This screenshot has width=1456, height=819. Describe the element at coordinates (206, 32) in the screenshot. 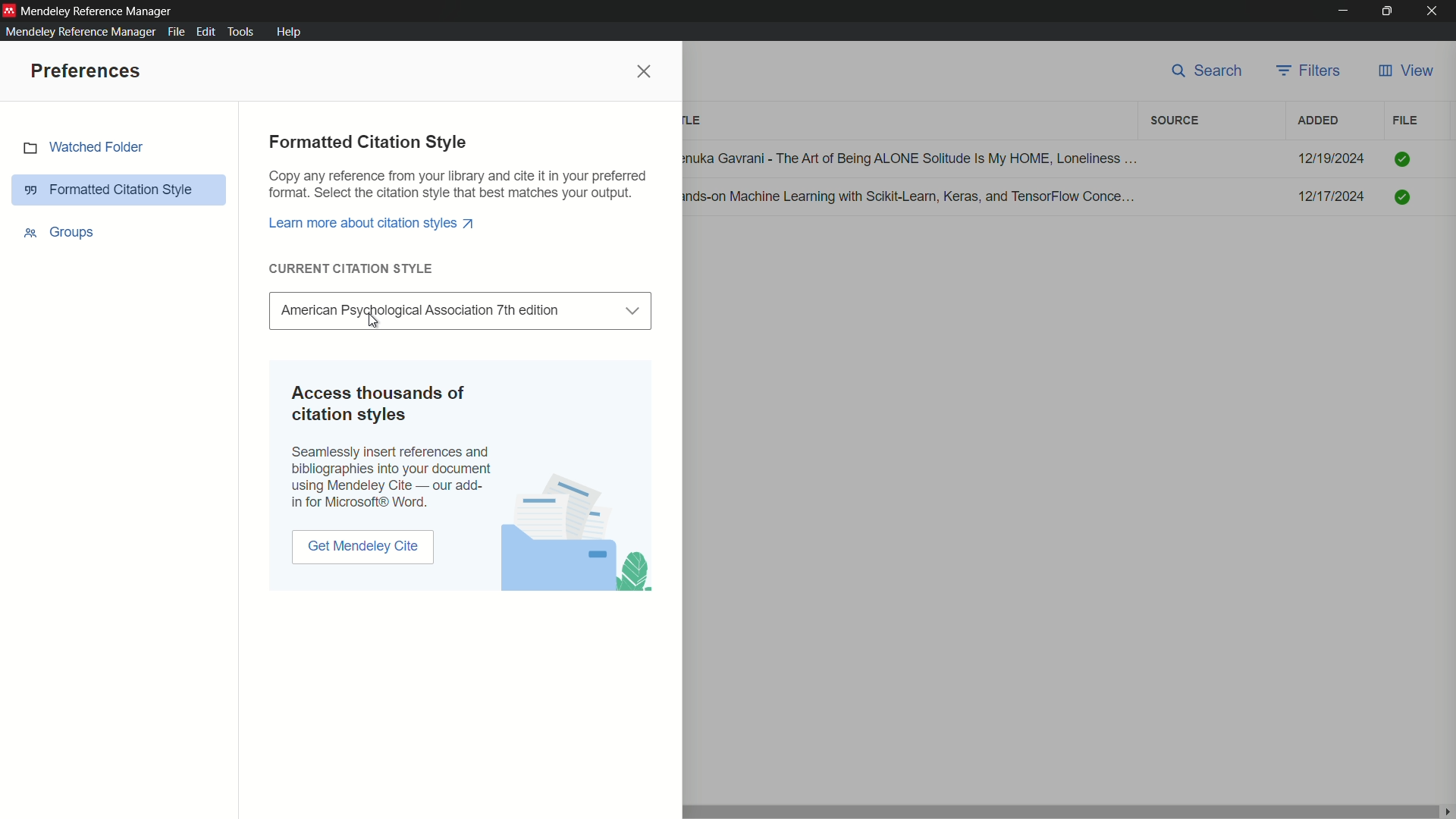

I see `edit menu` at that location.